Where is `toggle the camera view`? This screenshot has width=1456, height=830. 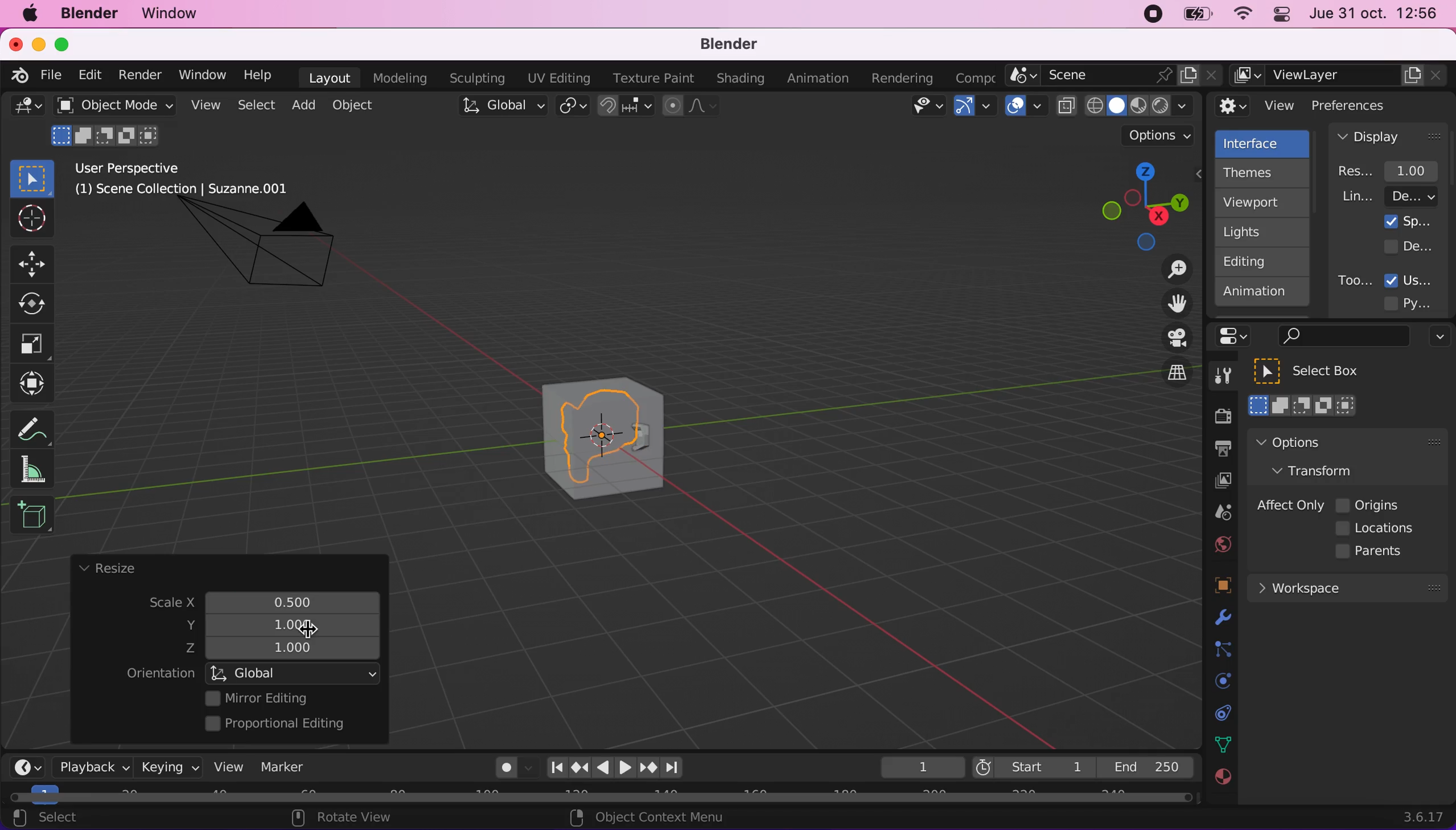
toggle the camera view is located at coordinates (1169, 339).